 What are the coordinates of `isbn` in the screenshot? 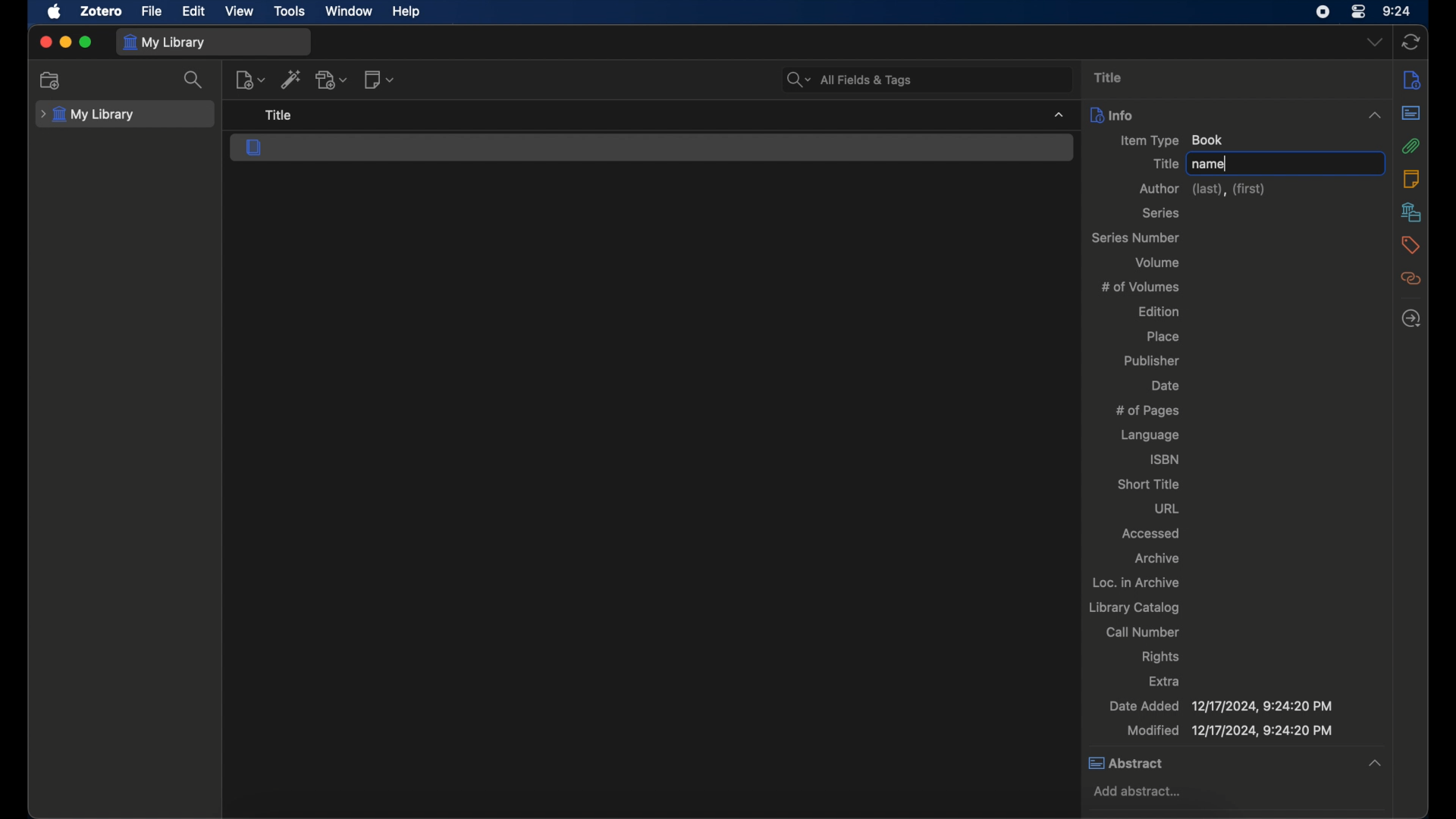 It's located at (1164, 460).